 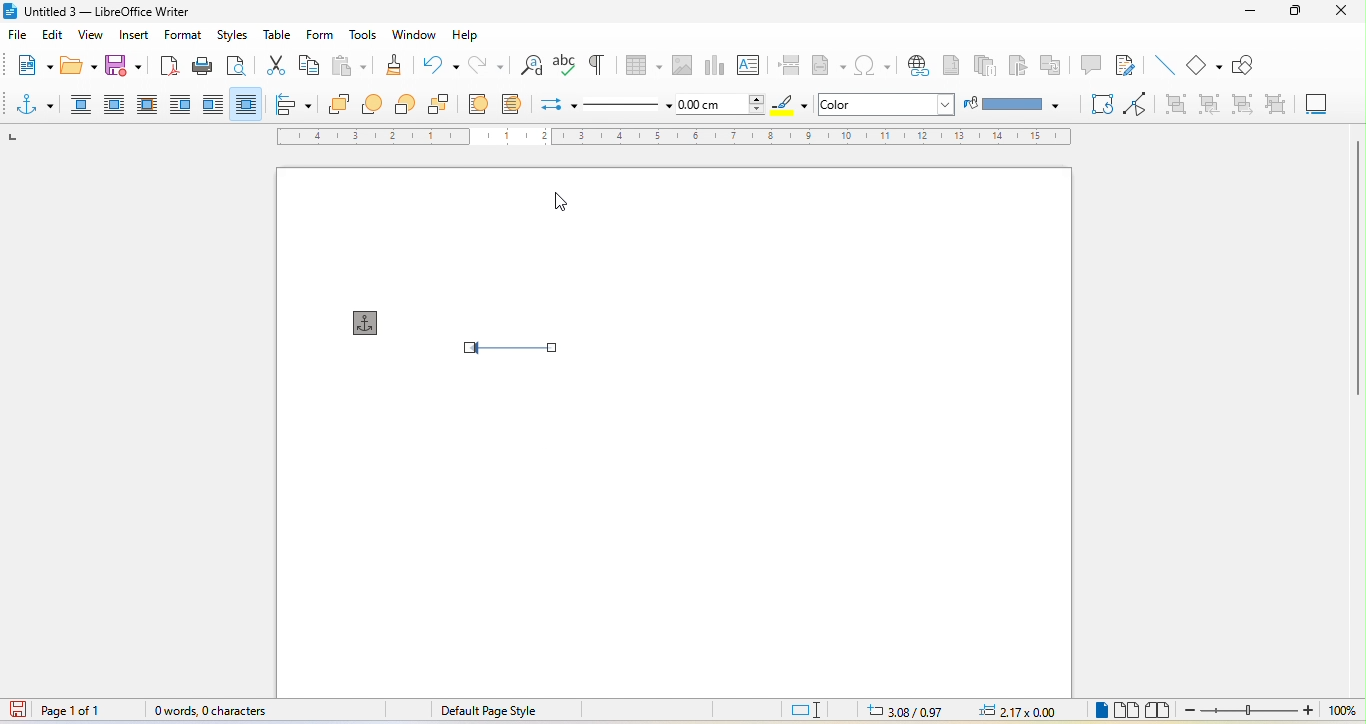 I want to click on format, so click(x=188, y=36).